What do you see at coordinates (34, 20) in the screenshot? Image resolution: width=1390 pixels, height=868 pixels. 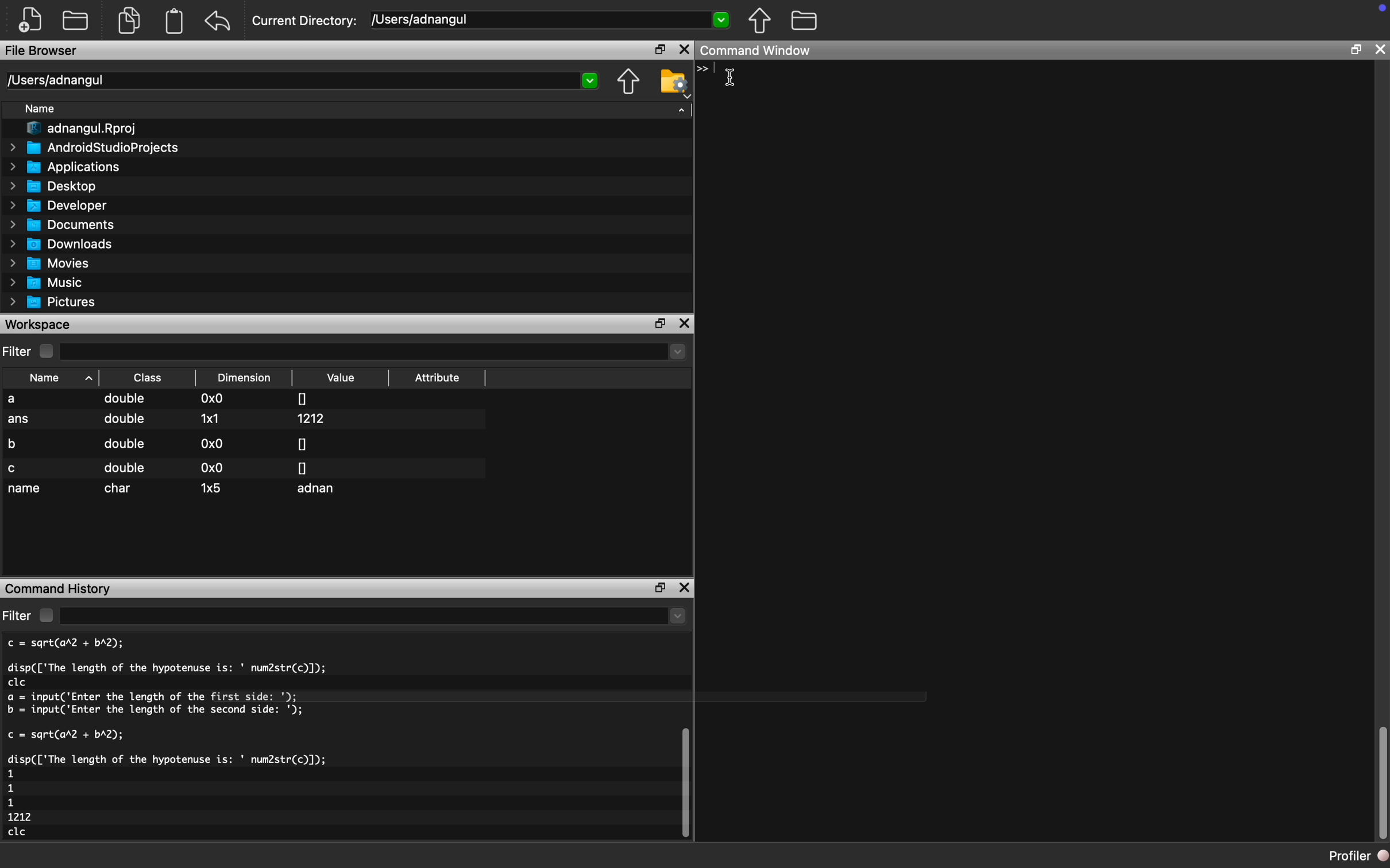 I see `create new` at bounding box center [34, 20].